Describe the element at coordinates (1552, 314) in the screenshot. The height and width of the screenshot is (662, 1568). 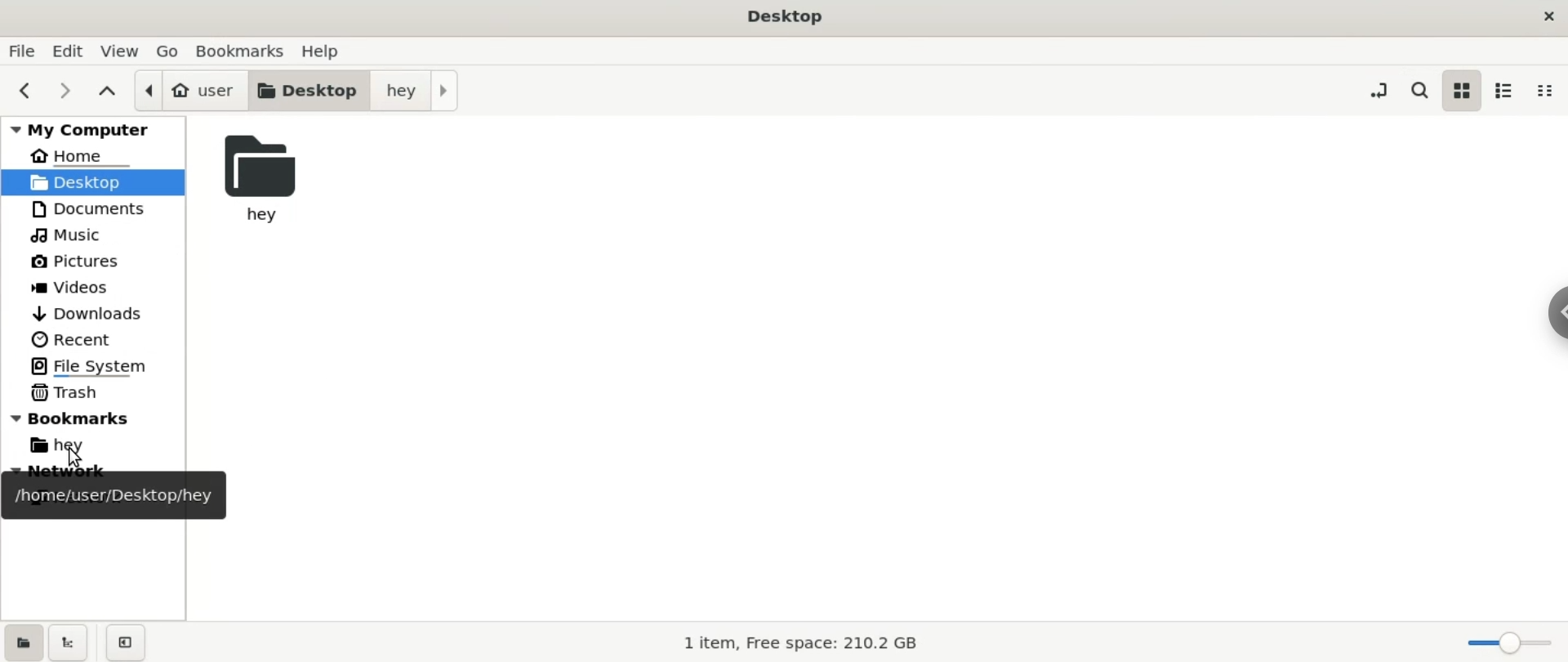
I see `chrome options` at that location.